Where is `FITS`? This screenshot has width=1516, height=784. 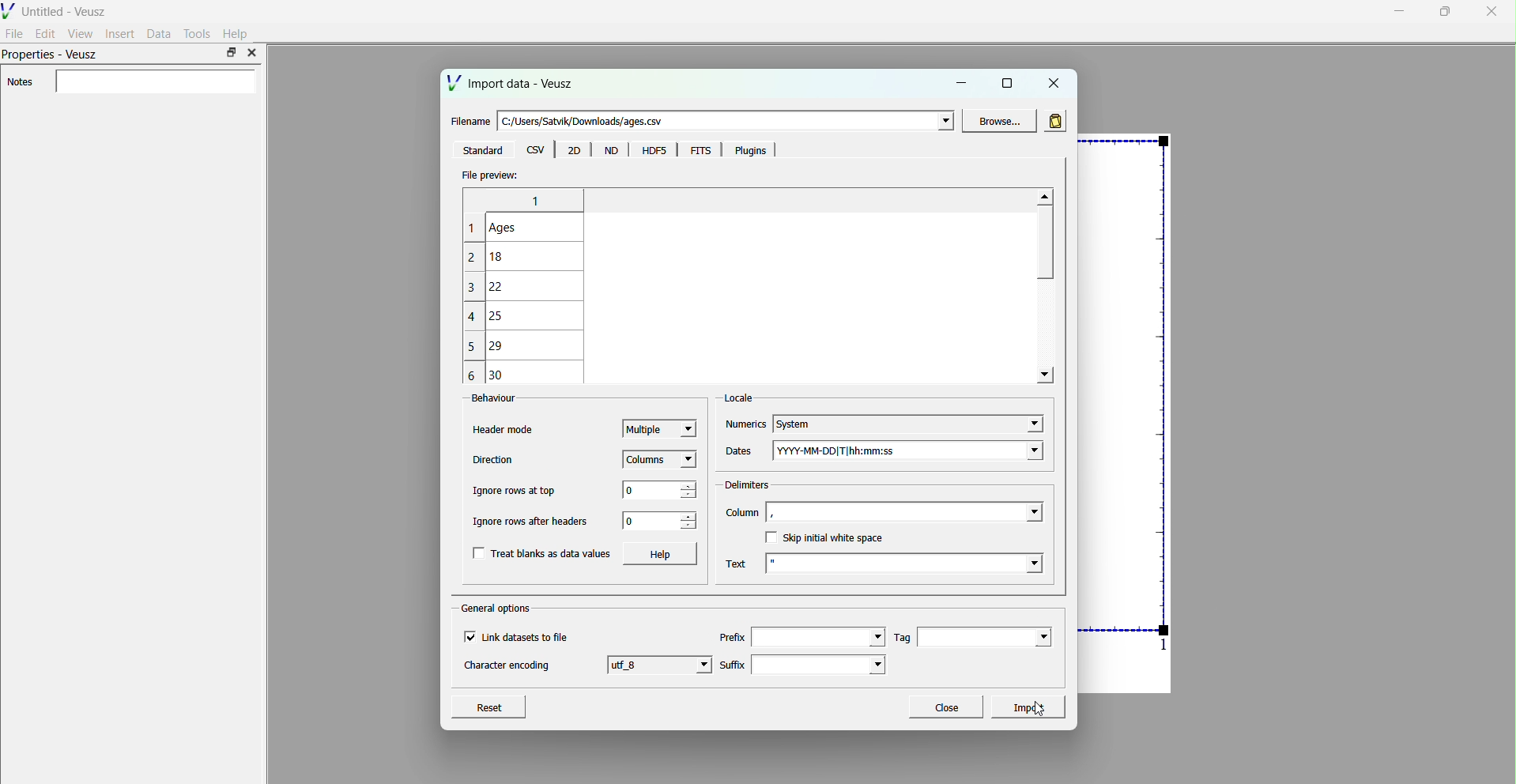
FITS is located at coordinates (701, 151).